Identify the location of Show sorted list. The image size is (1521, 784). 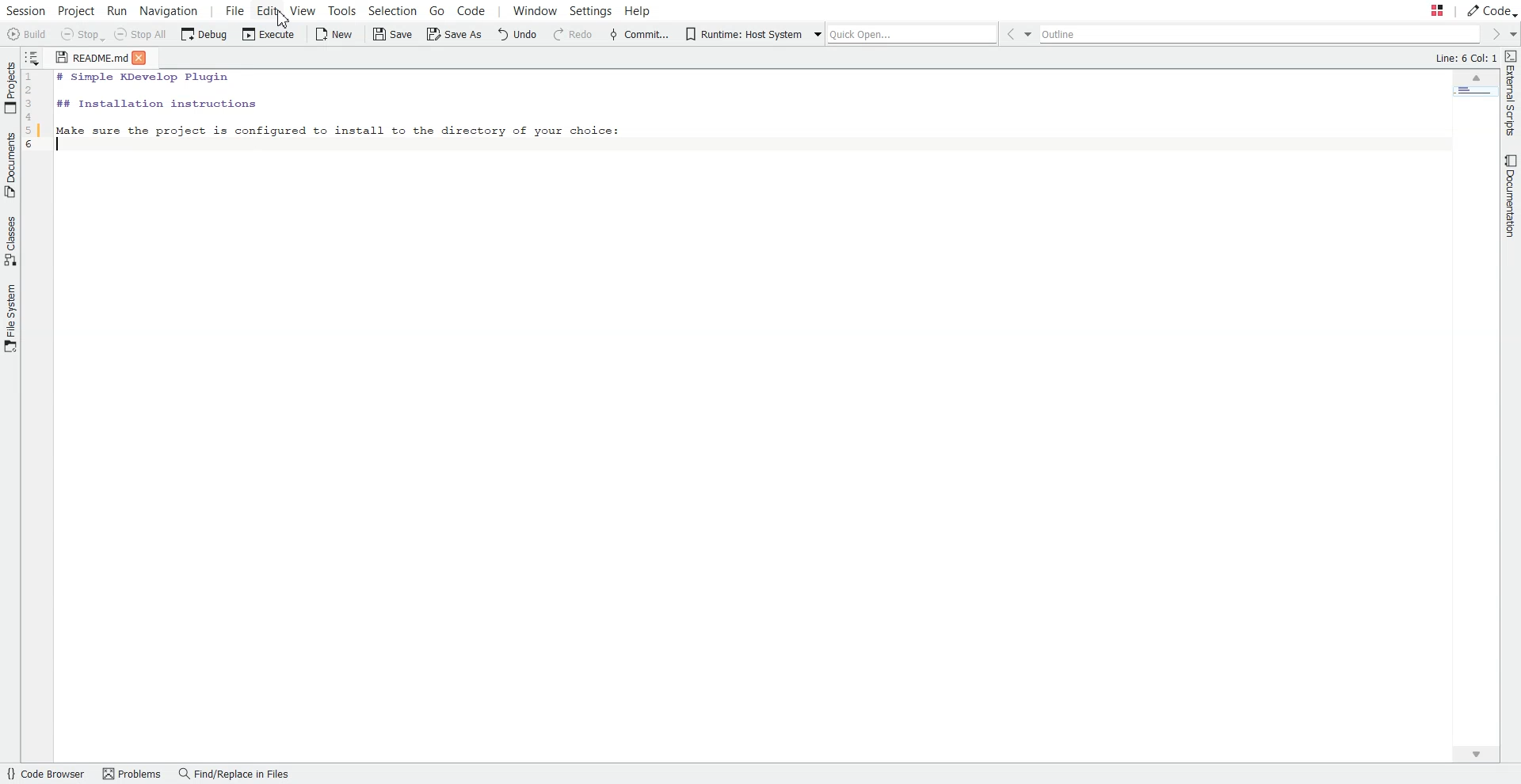
(33, 56).